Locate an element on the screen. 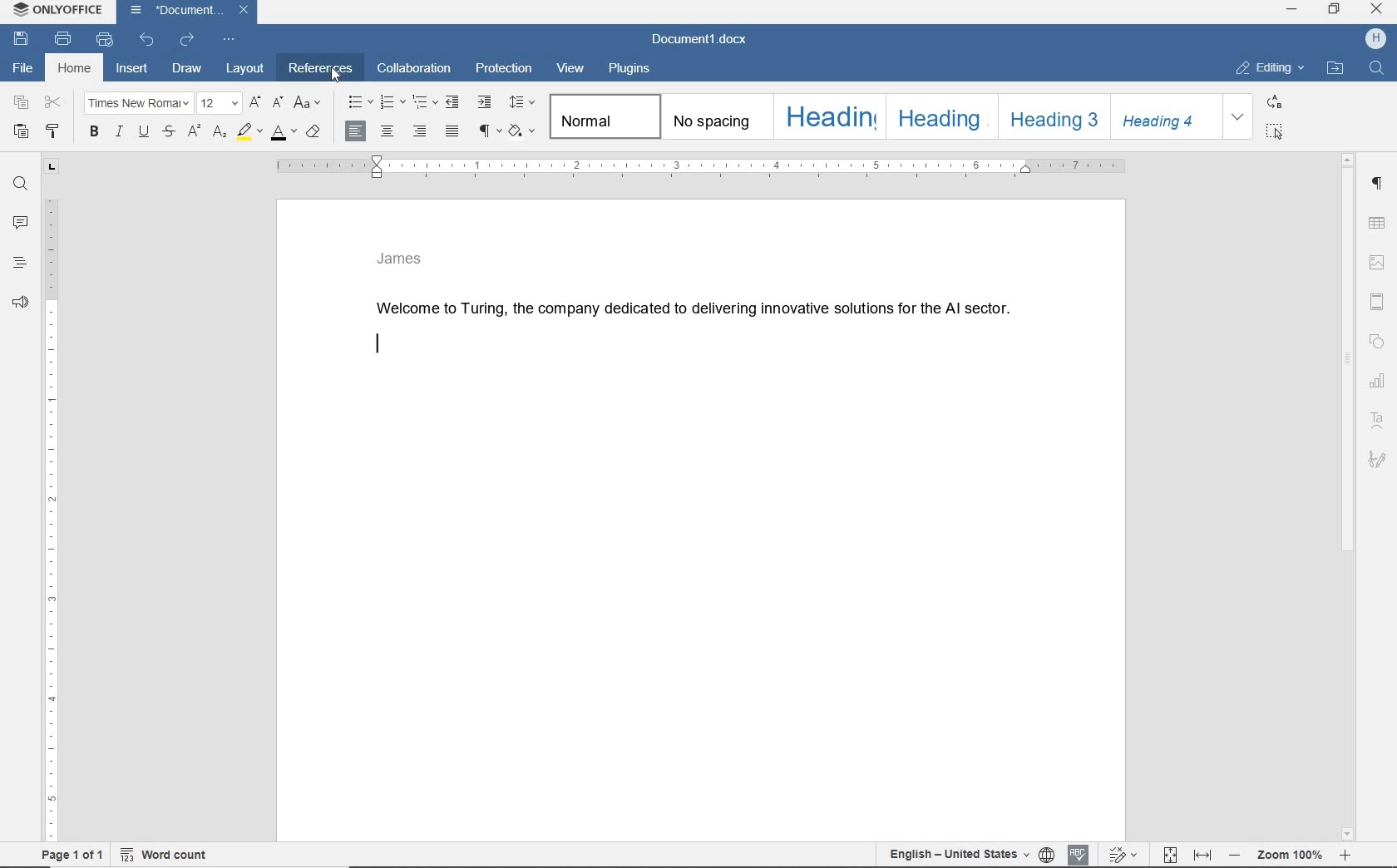  clear style is located at coordinates (314, 133).